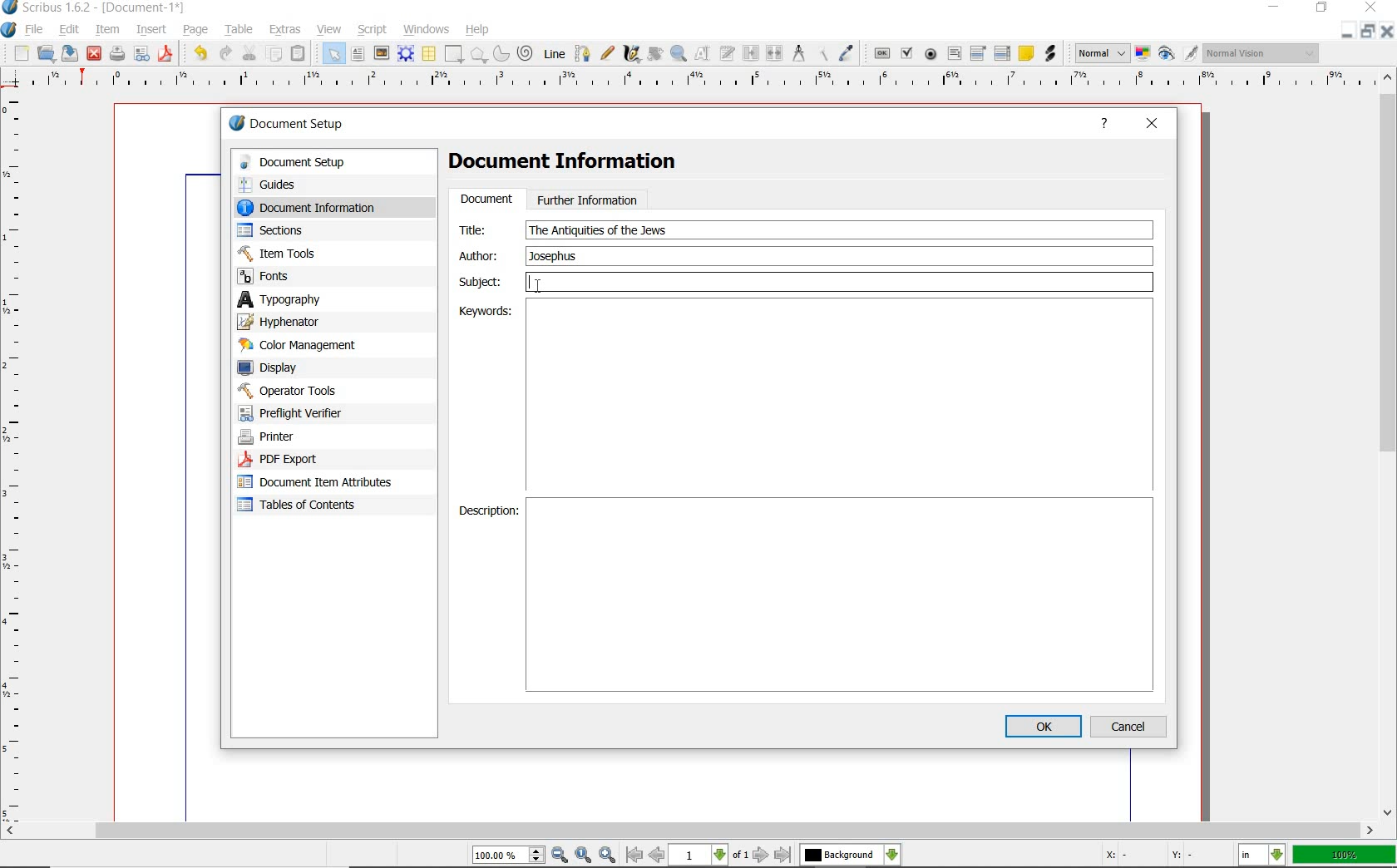  Describe the element at coordinates (1049, 54) in the screenshot. I see `link annotation` at that location.